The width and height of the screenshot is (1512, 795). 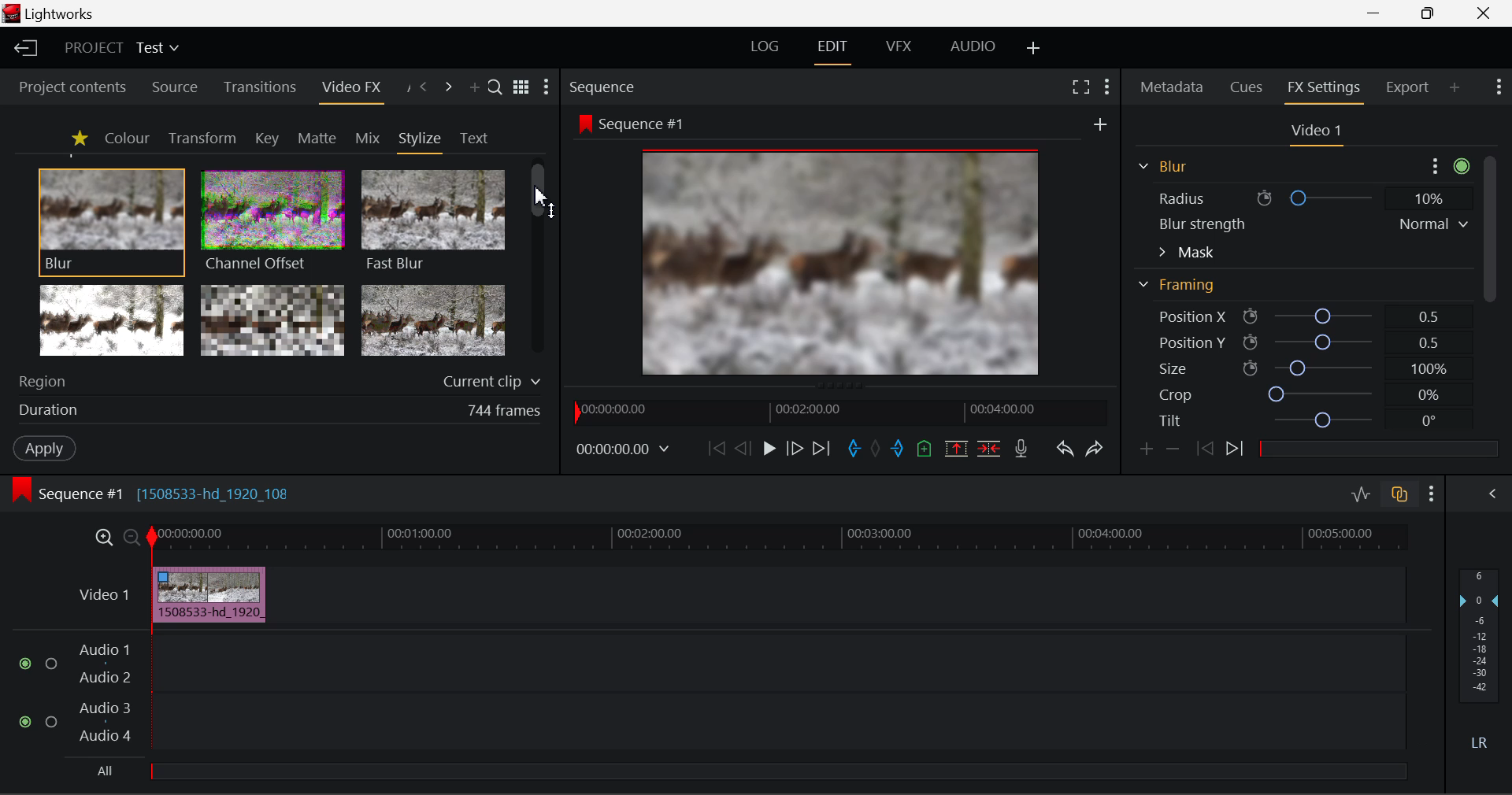 What do you see at coordinates (449, 87) in the screenshot?
I see `Next Panel` at bounding box center [449, 87].